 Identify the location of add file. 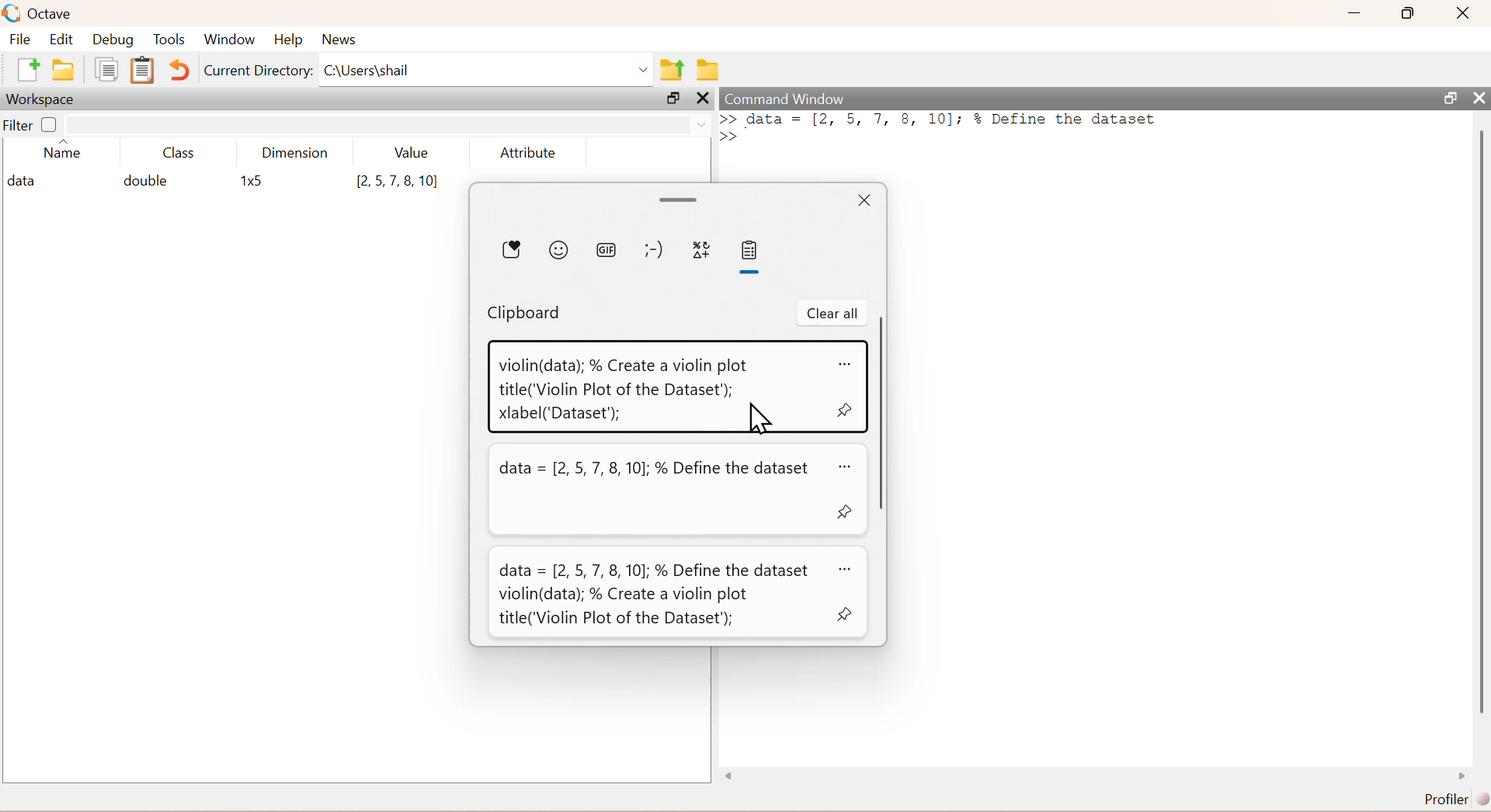
(30, 69).